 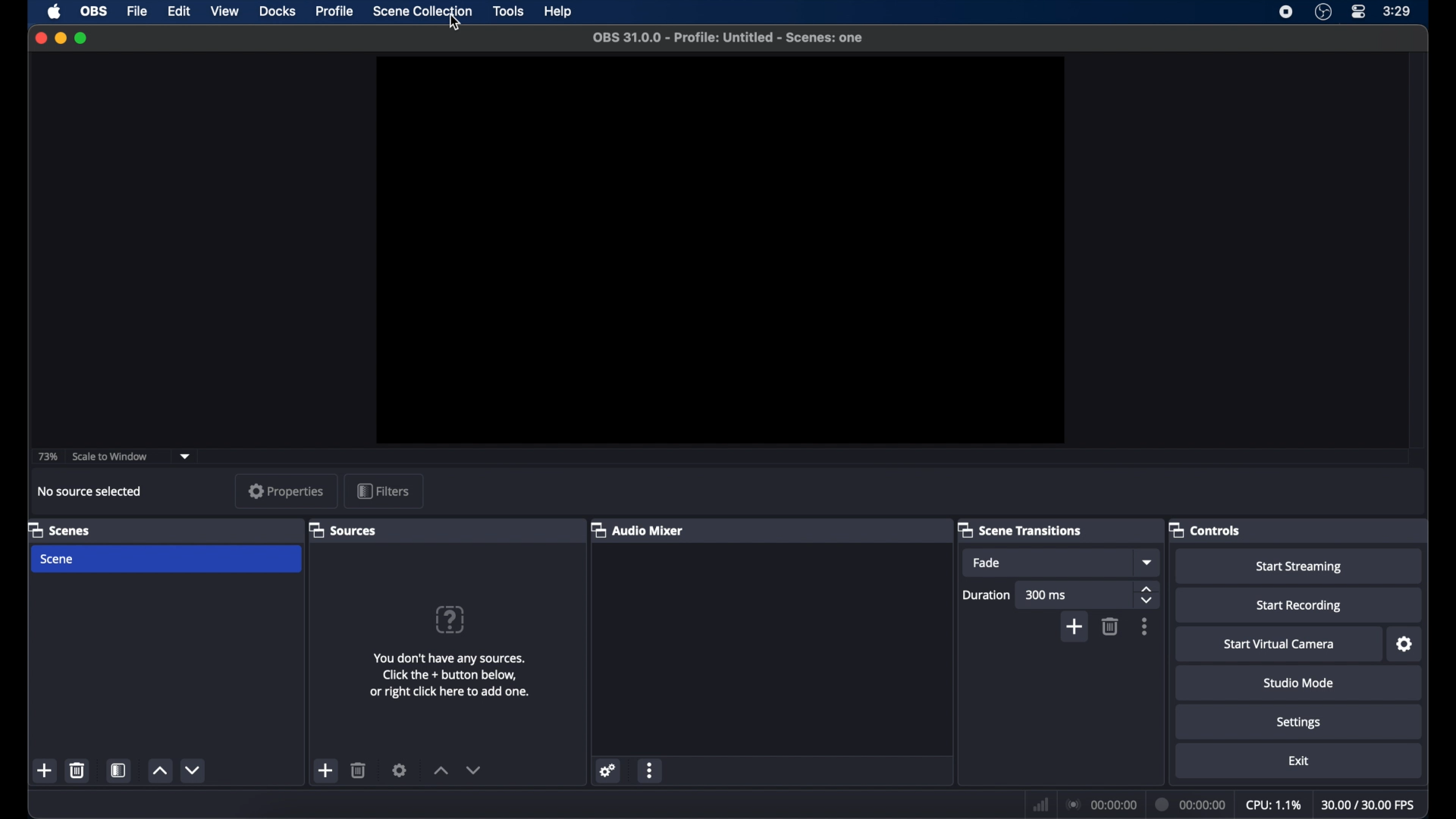 I want to click on start streaming, so click(x=1298, y=567).